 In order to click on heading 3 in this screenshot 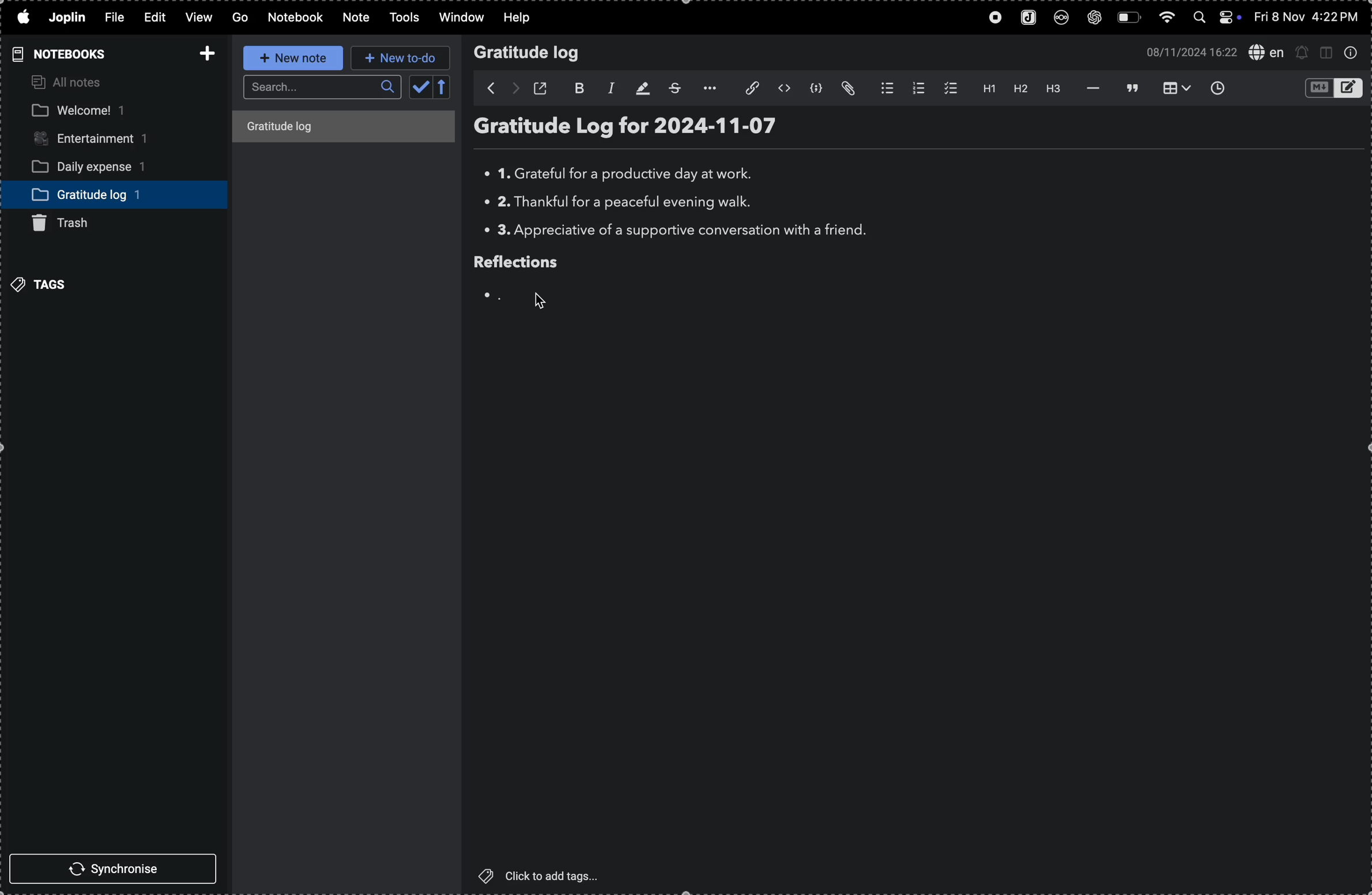, I will do `click(1051, 90)`.